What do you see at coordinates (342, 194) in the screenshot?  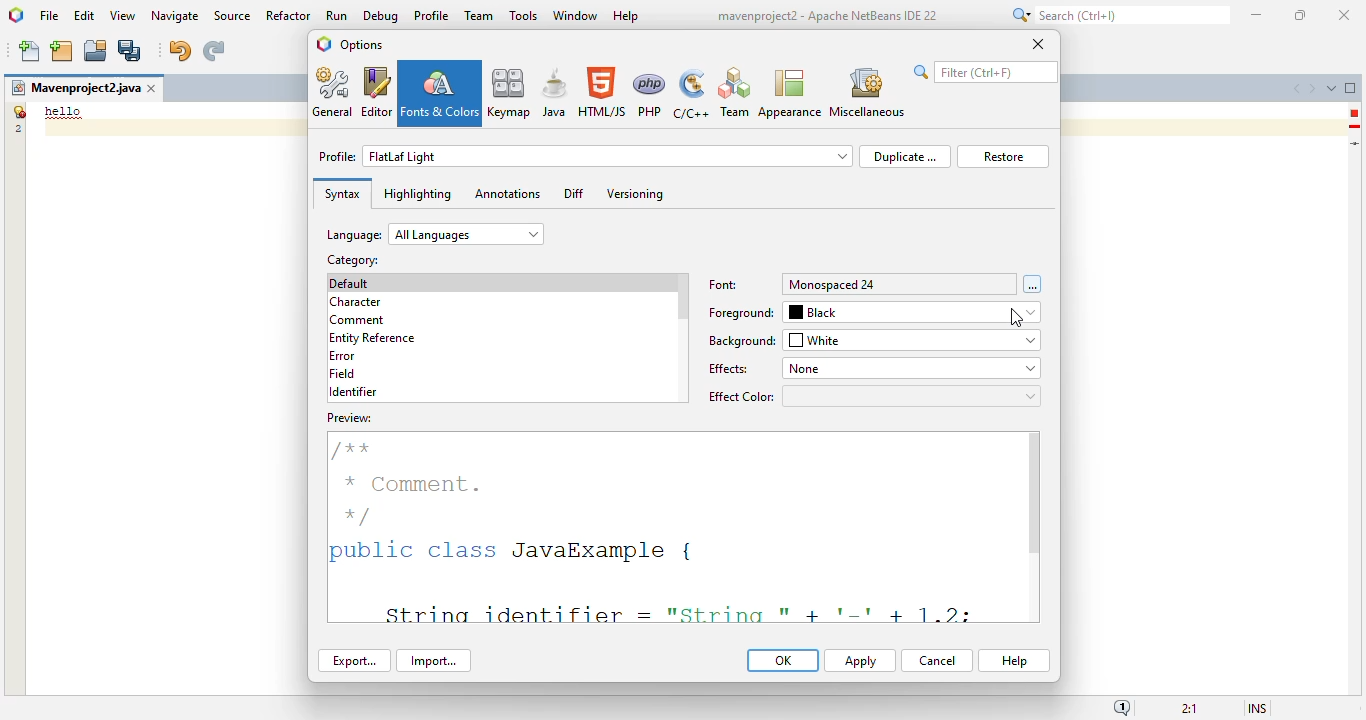 I see `syntax` at bounding box center [342, 194].